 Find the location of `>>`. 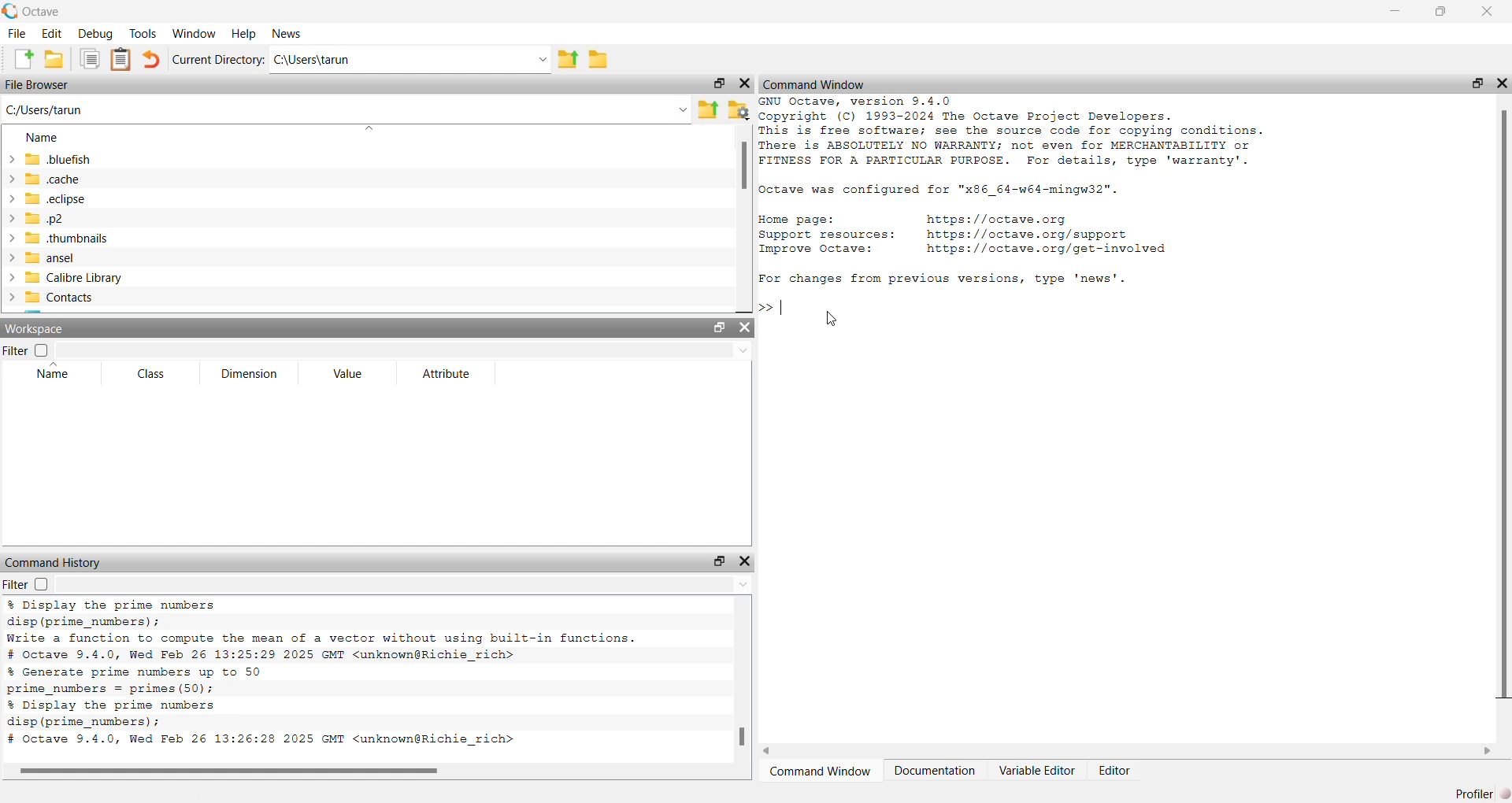

>> is located at coordinates (765, 308).